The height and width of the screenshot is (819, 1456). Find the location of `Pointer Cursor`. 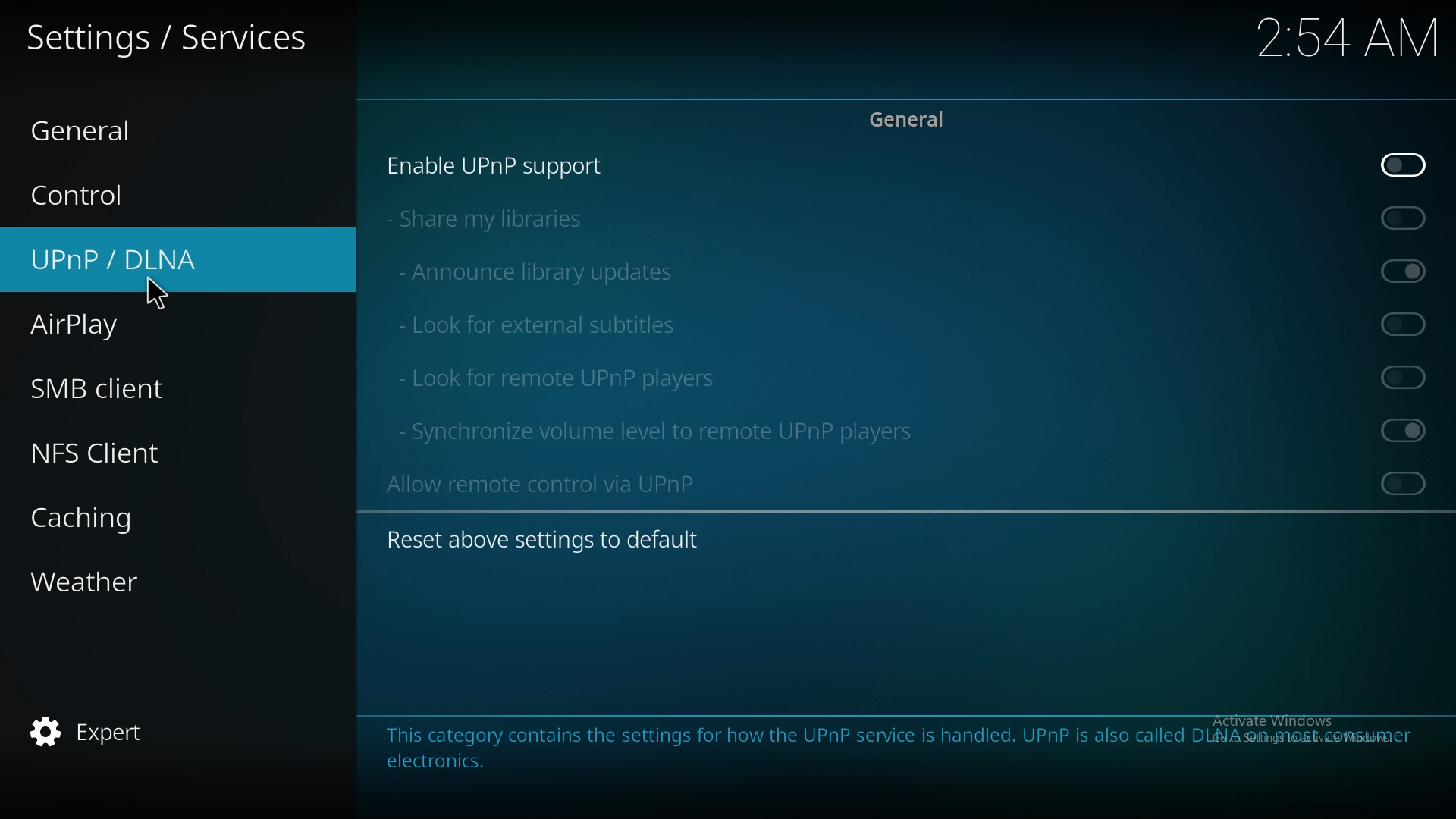

Pointer Cursor is located at coordinates (155, 290).